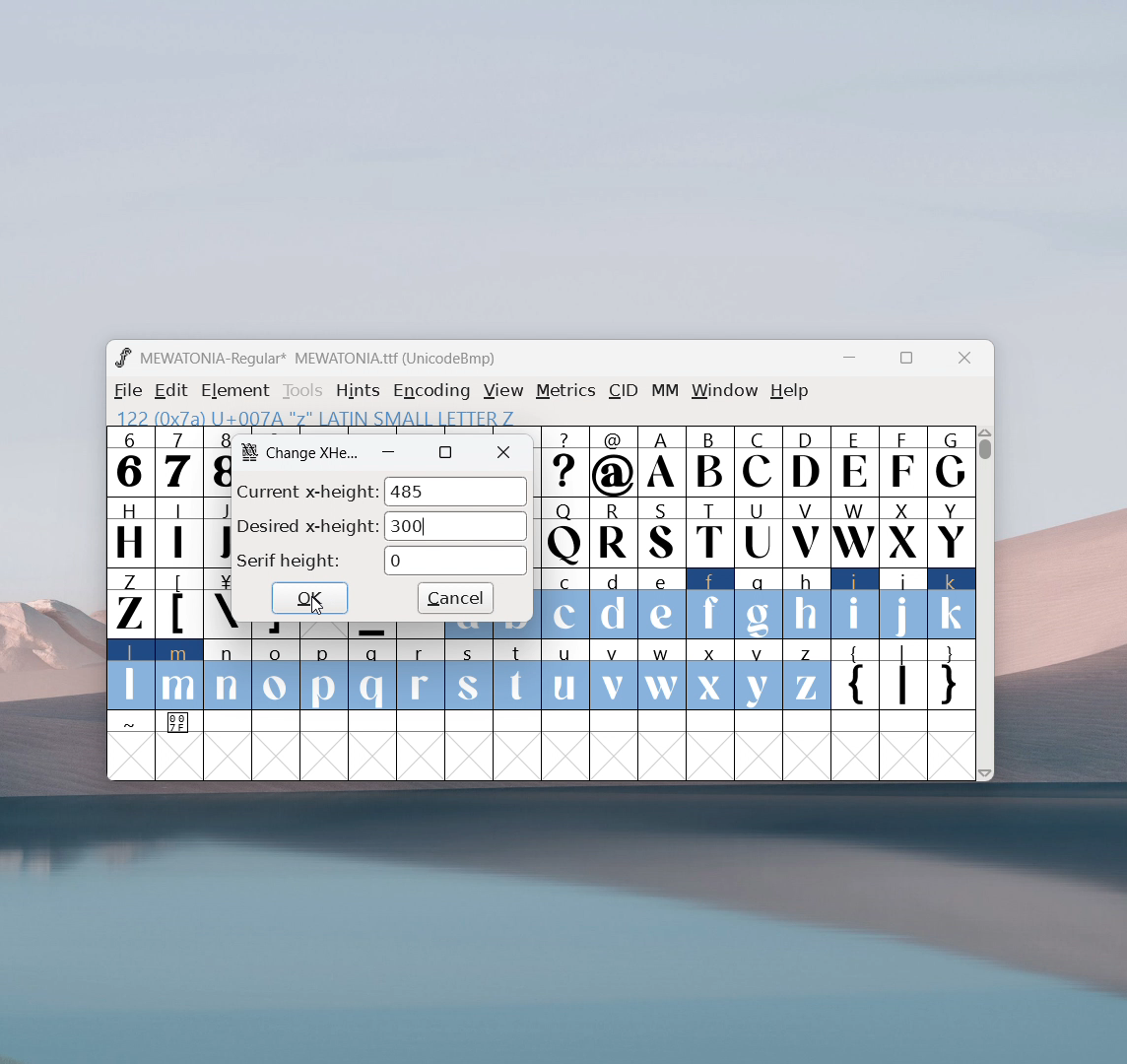 The image size is (1127, 1064). I want to click on R, so click(613, 534).